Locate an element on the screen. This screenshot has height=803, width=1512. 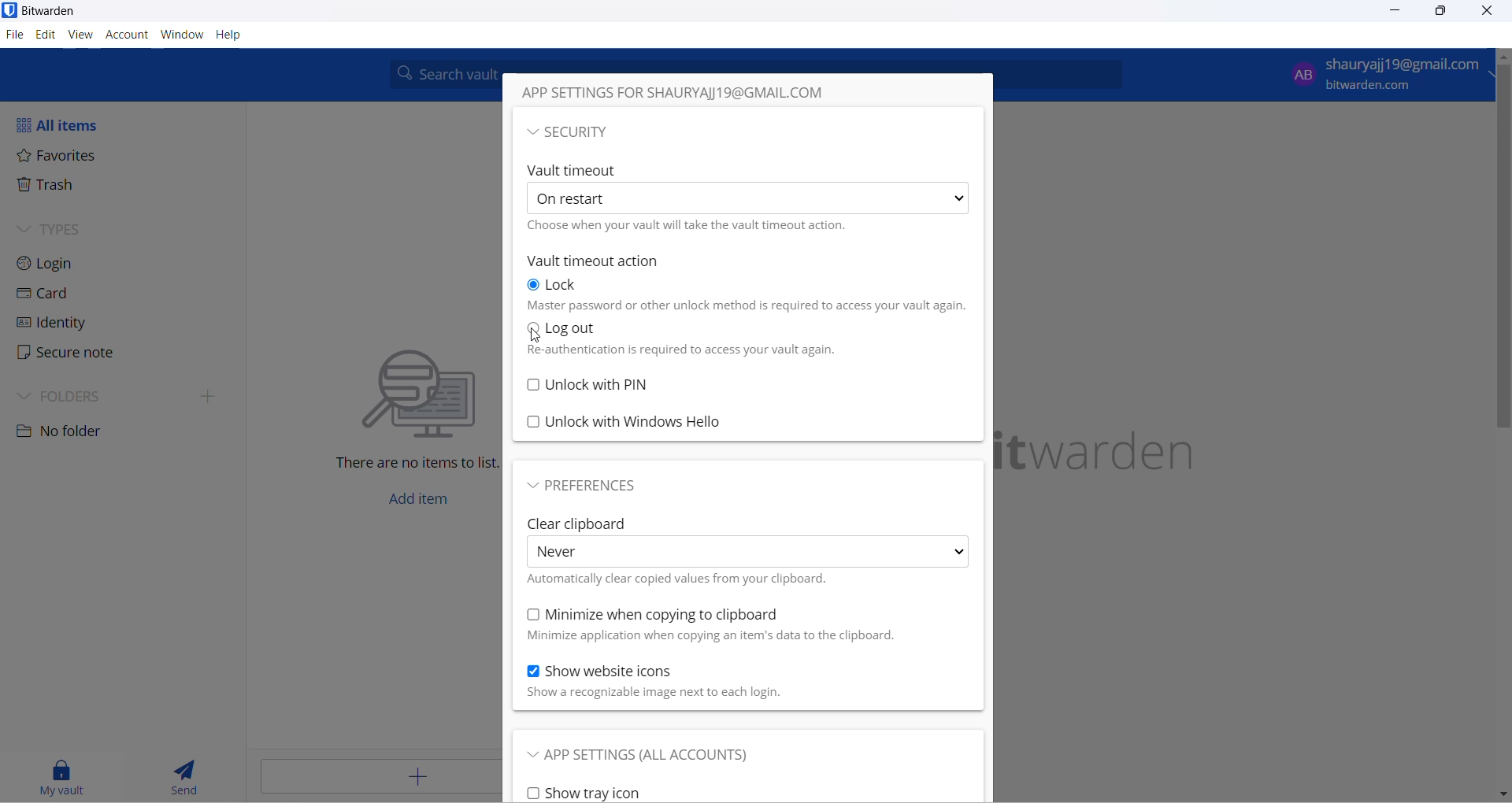
No folder is located at coordinates (66, 434).